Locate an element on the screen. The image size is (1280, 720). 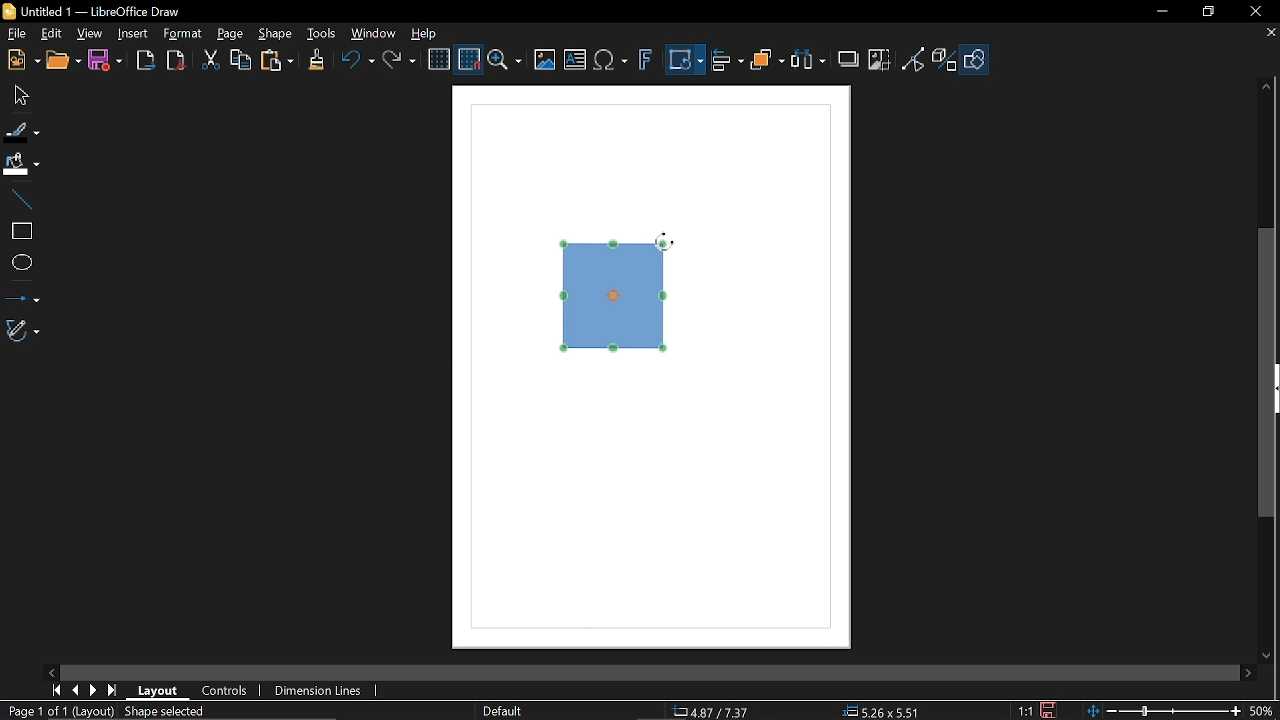
Curves and polygons is located at coordinates (21, 331).